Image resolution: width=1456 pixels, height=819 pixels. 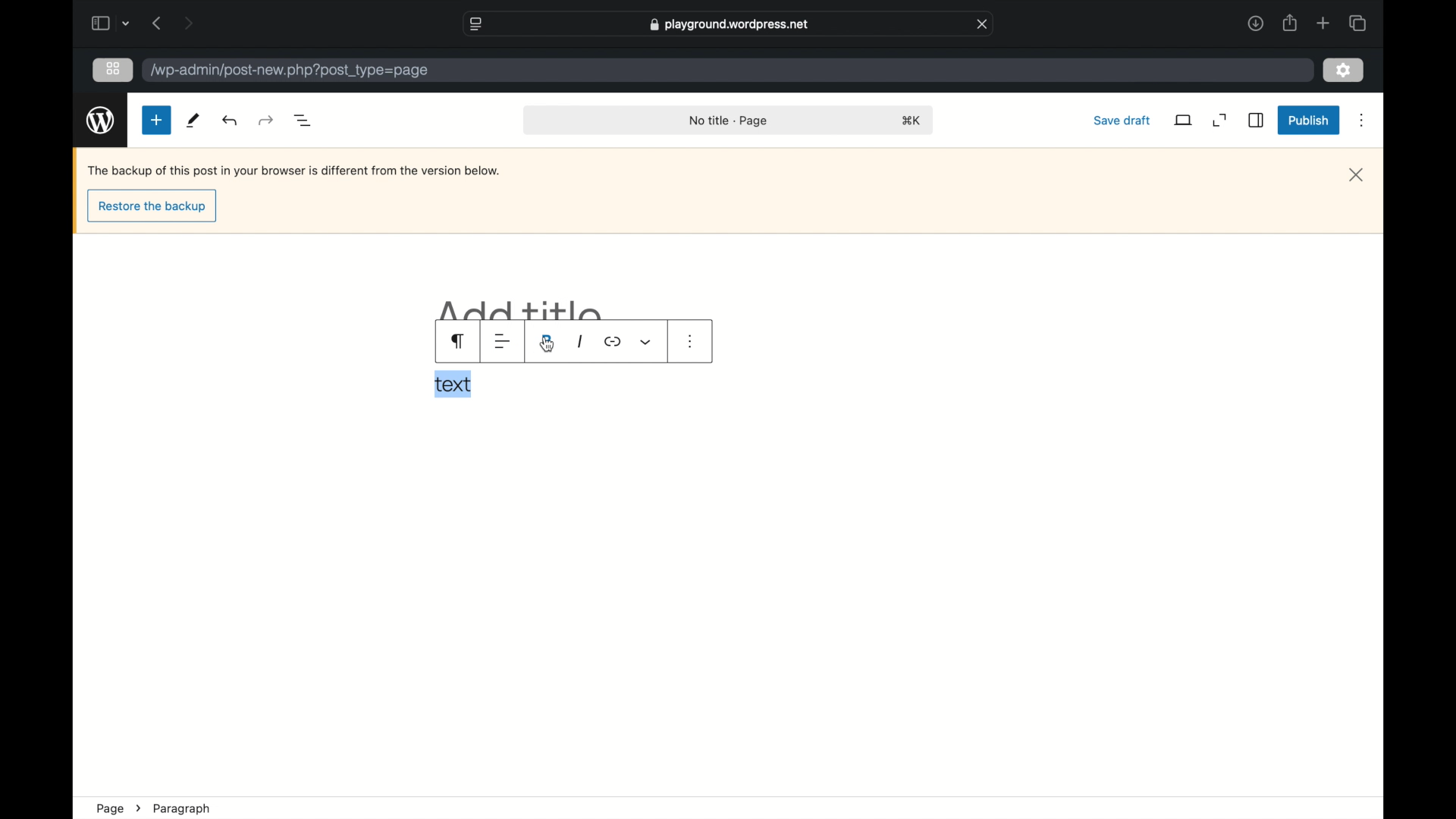 What do you see at coordinates (188, 23) in the screenshot?
I see `next page` at bounding box center [188, 23].